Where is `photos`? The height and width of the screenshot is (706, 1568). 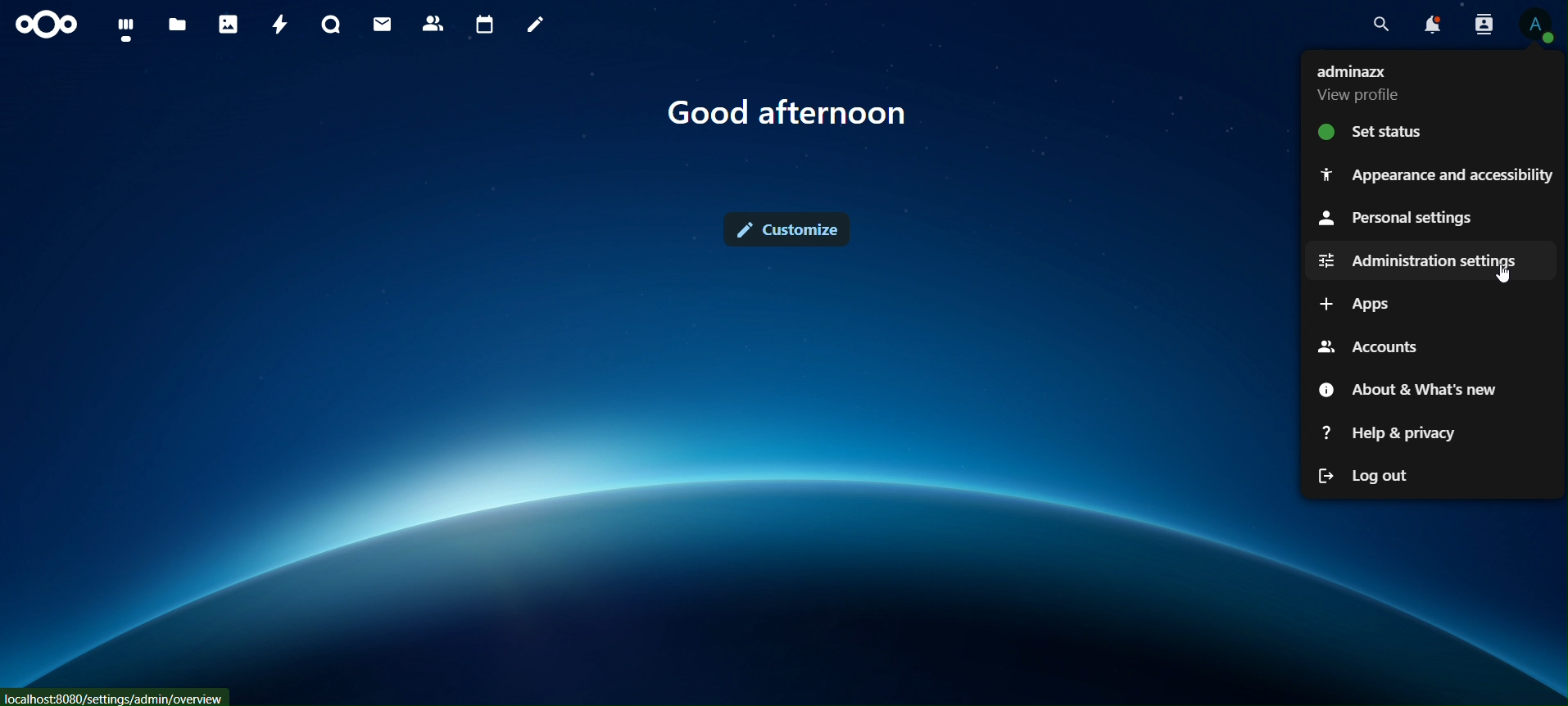 photos is located at coordinates (228, 24).